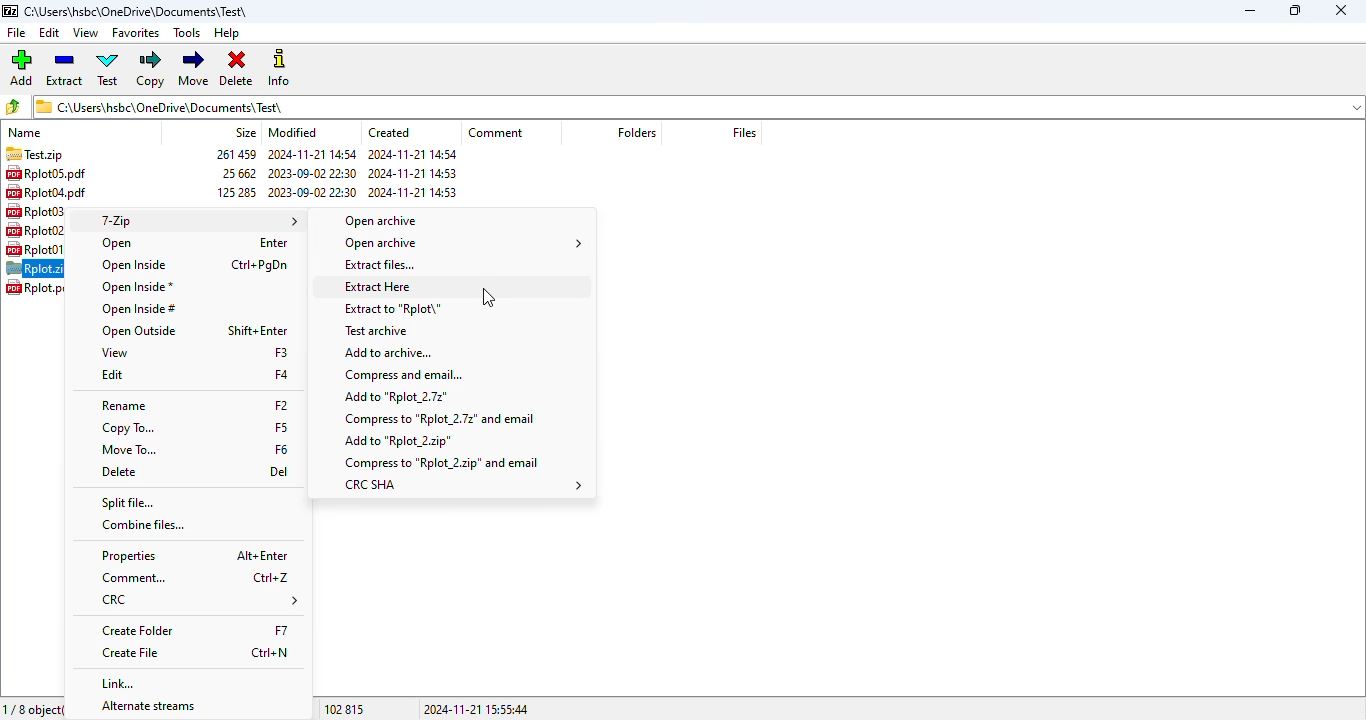 This screenshot has width=1366, height=720. Describe the element at coordinates (377, 332) in the screenshot. I see `test archive` at that location.